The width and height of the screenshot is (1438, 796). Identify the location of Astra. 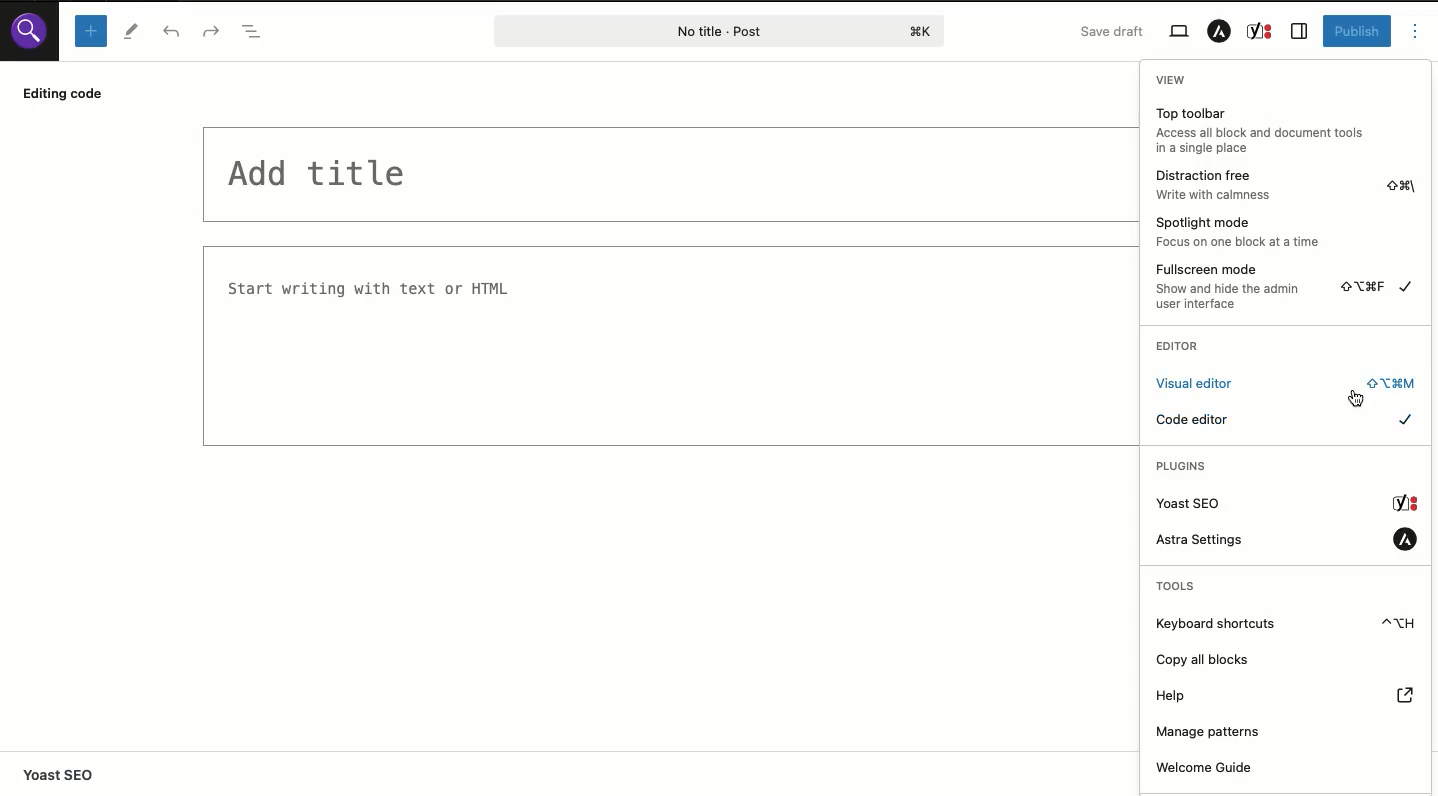
(1219, 33).